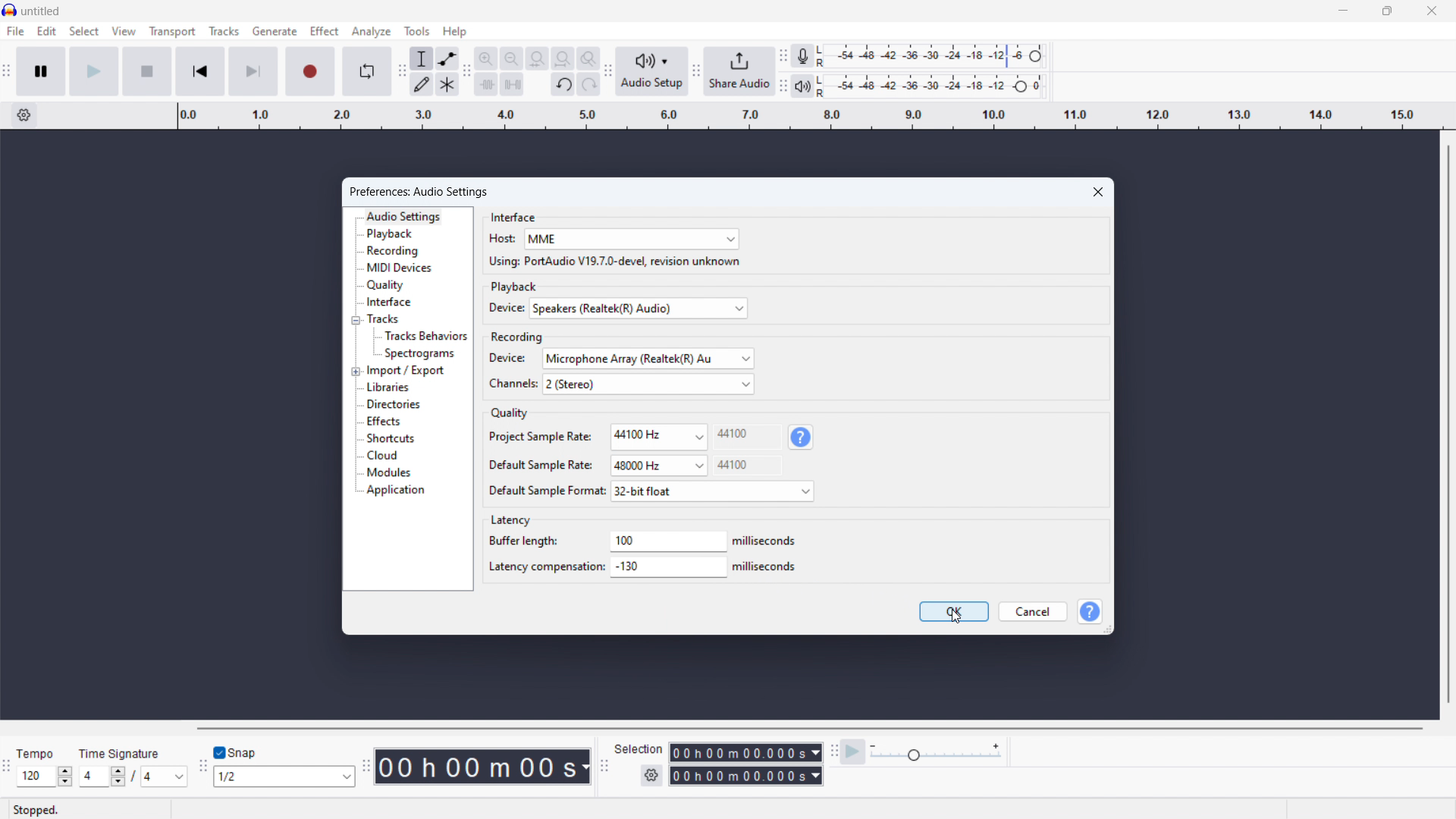 This screenshot has height=819, width=1456. I want to click on timestamp, so click(485, 767).